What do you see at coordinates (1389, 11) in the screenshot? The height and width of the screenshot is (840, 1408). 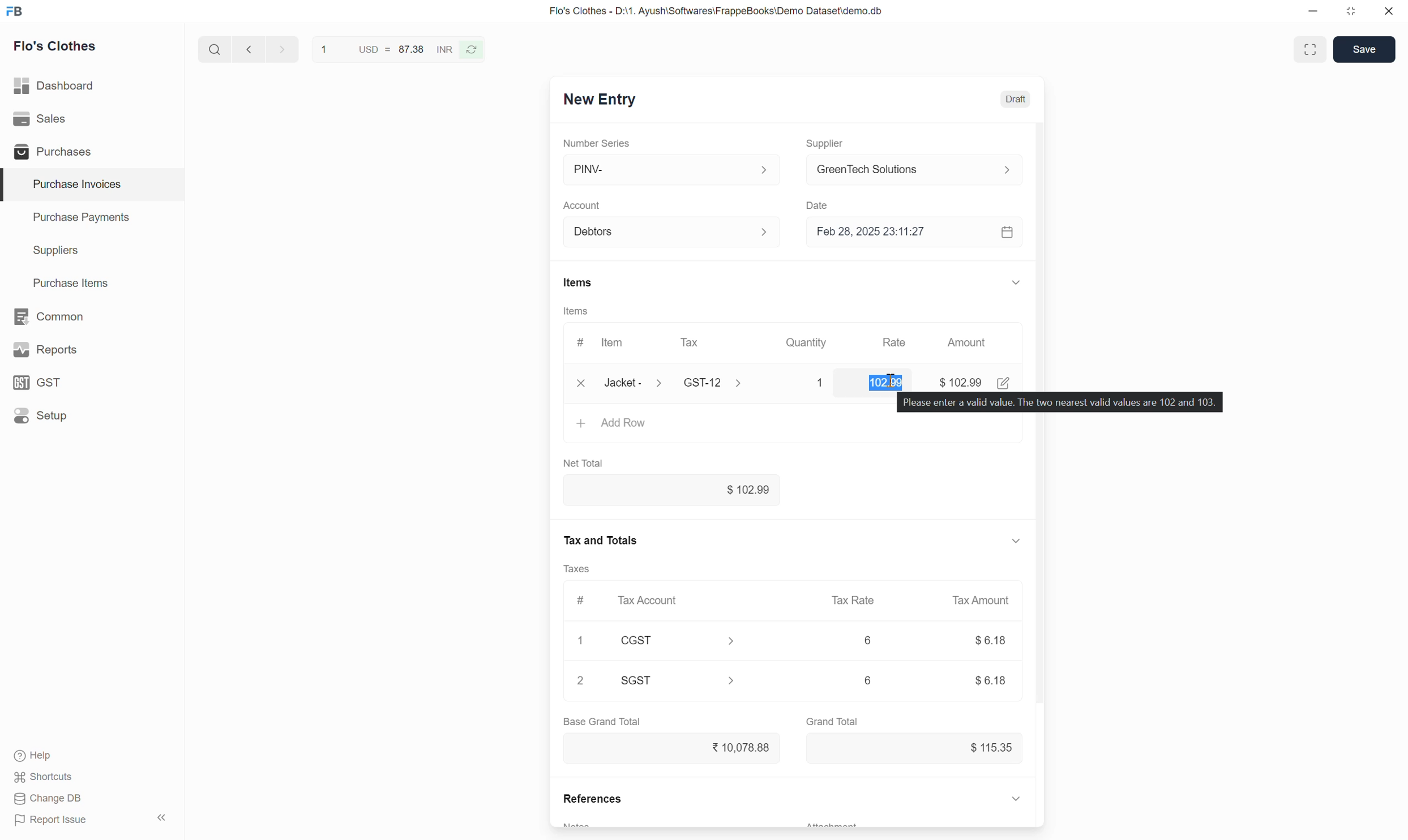 I see `Close` at bounding box center [1389, 11].